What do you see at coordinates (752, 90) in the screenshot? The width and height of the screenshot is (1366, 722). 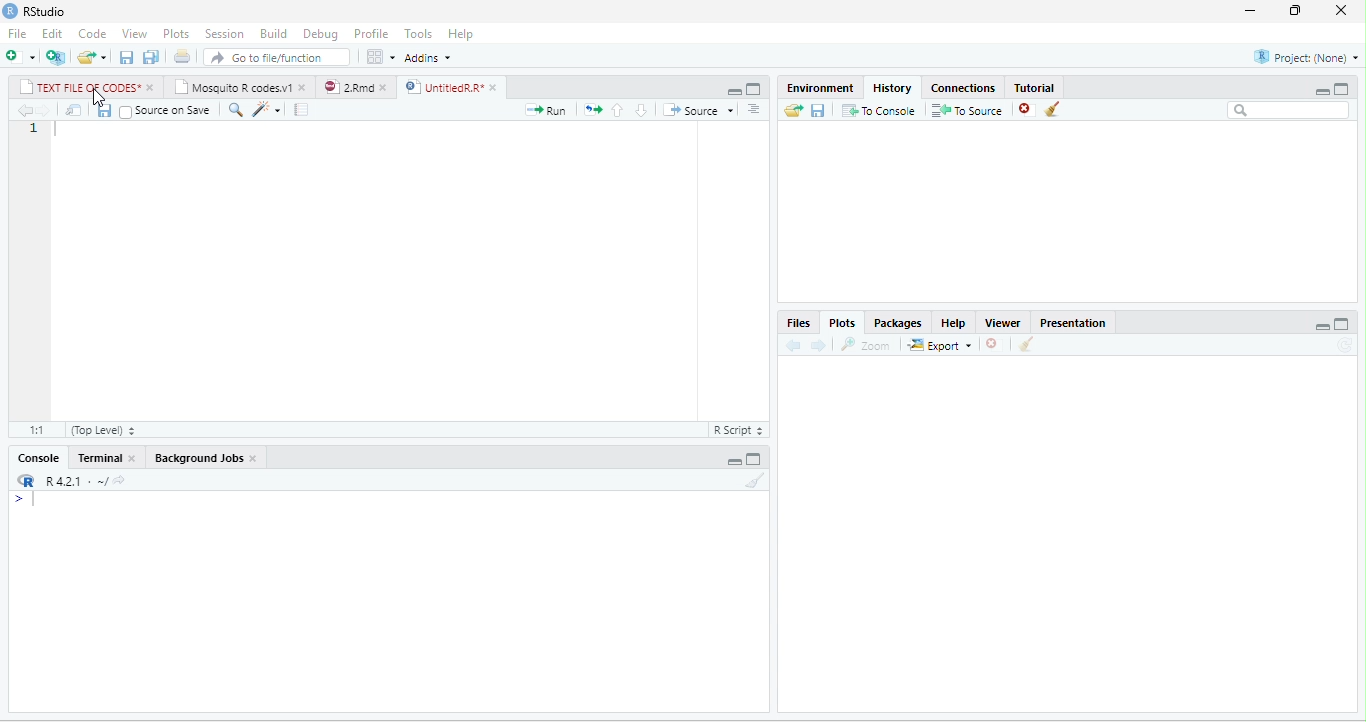 I see `maximize` at bounding box center [752, 90].